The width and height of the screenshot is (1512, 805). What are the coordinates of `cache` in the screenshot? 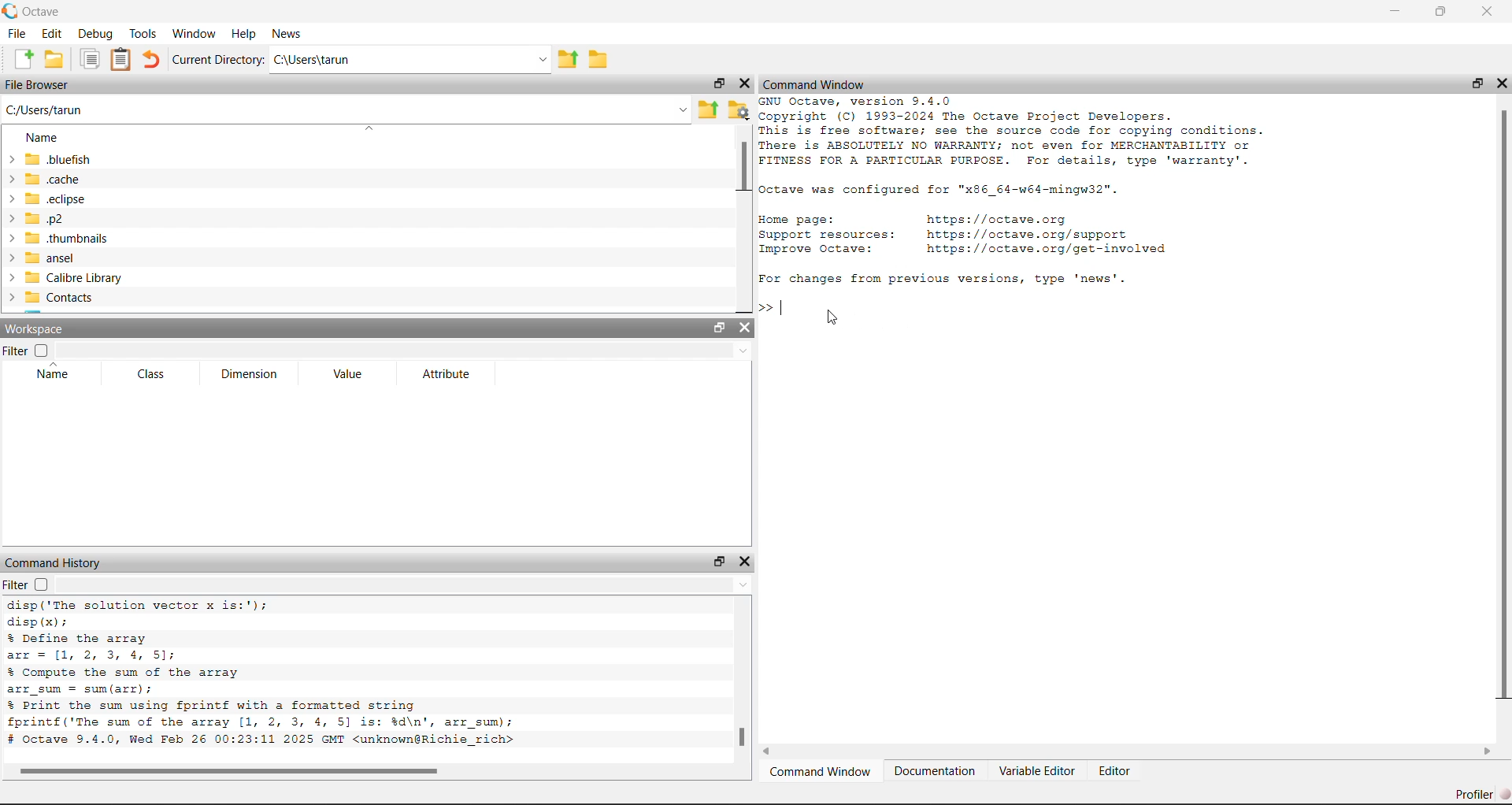 It's located at (50, 179).